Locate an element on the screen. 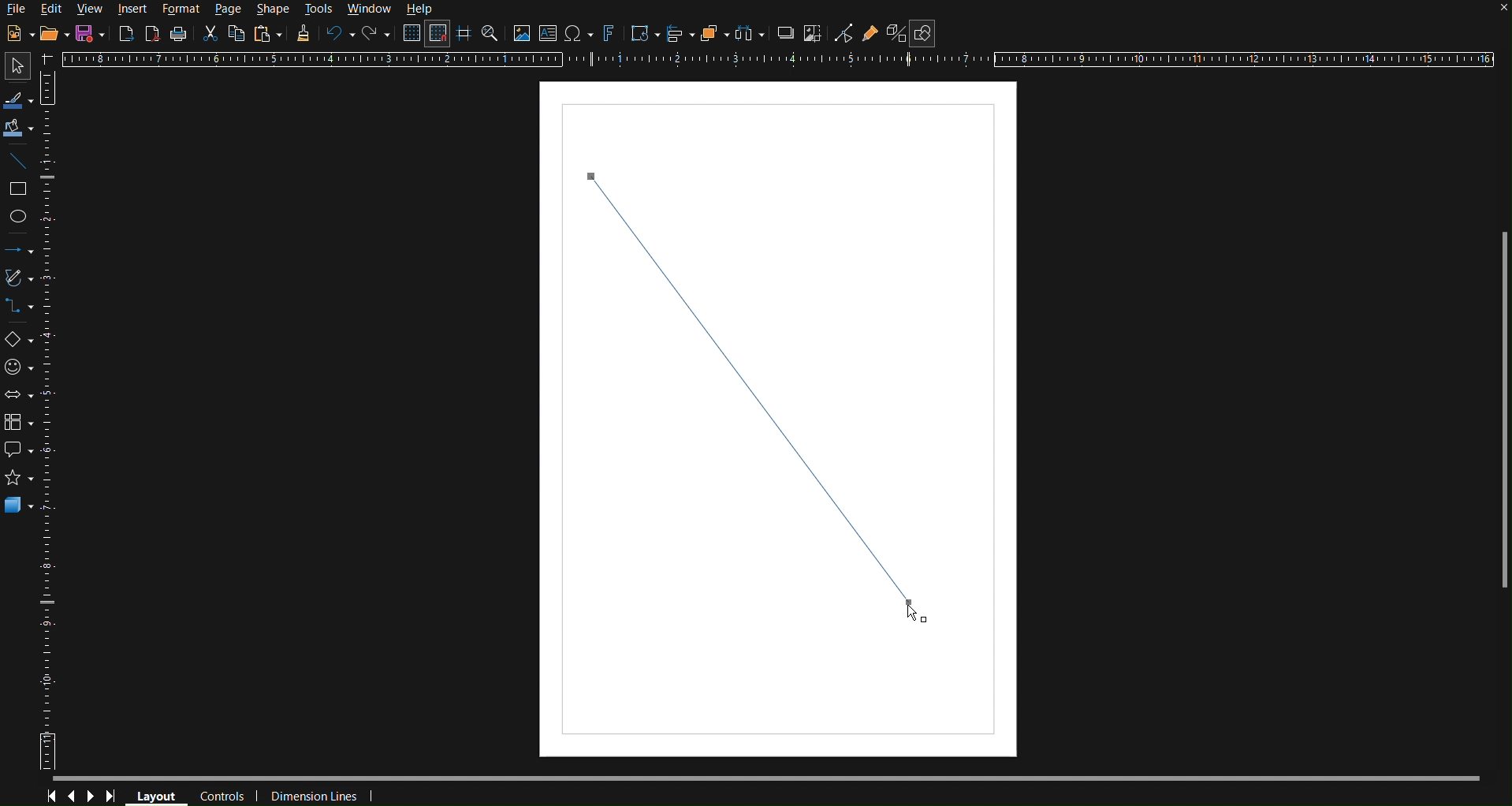 The image size is (1512, 806). Display Grid is located at coordinates (410, 33).